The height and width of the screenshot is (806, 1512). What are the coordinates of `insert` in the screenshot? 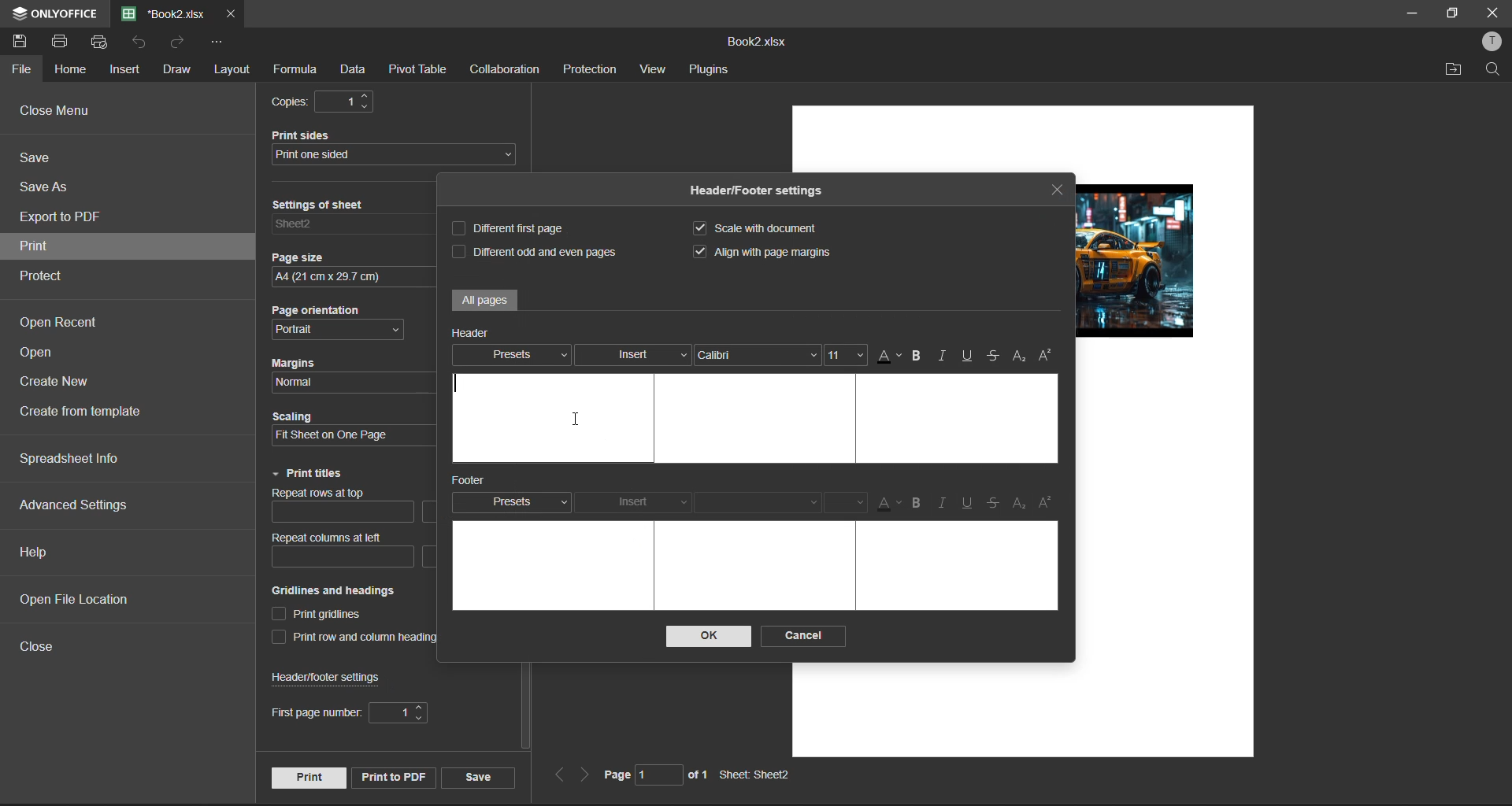 It's located at (632, 355).